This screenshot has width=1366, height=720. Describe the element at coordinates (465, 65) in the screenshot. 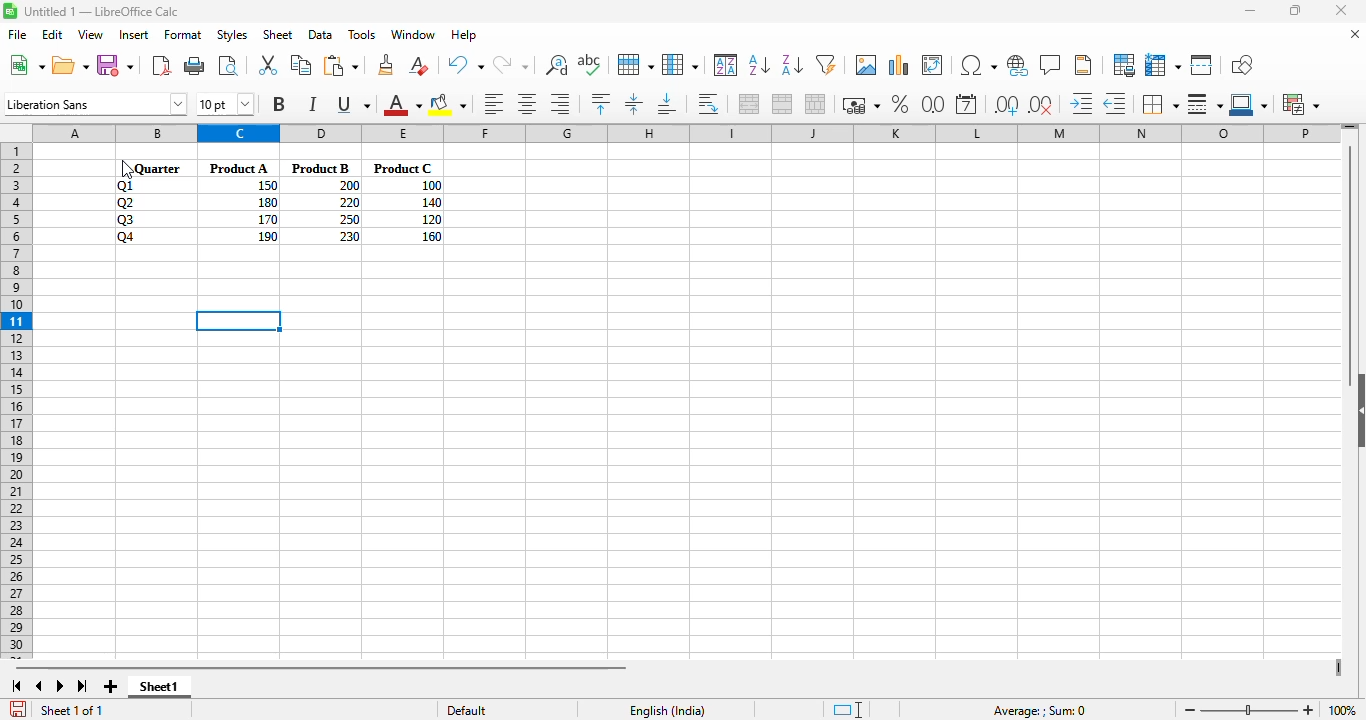

I see `undo` at that location.